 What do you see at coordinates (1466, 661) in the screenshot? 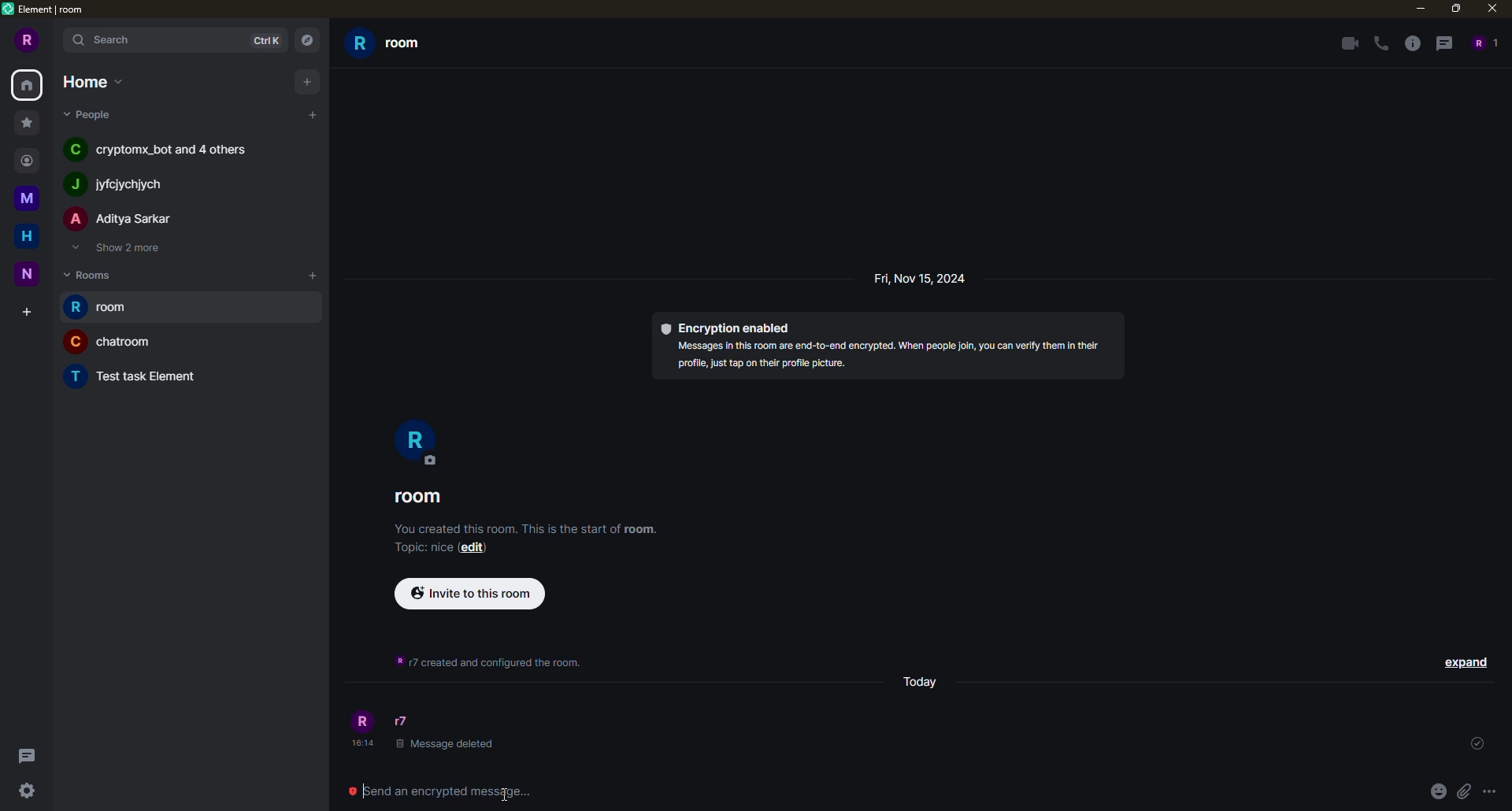
I see `expand` at bounding box center [1466, 661].